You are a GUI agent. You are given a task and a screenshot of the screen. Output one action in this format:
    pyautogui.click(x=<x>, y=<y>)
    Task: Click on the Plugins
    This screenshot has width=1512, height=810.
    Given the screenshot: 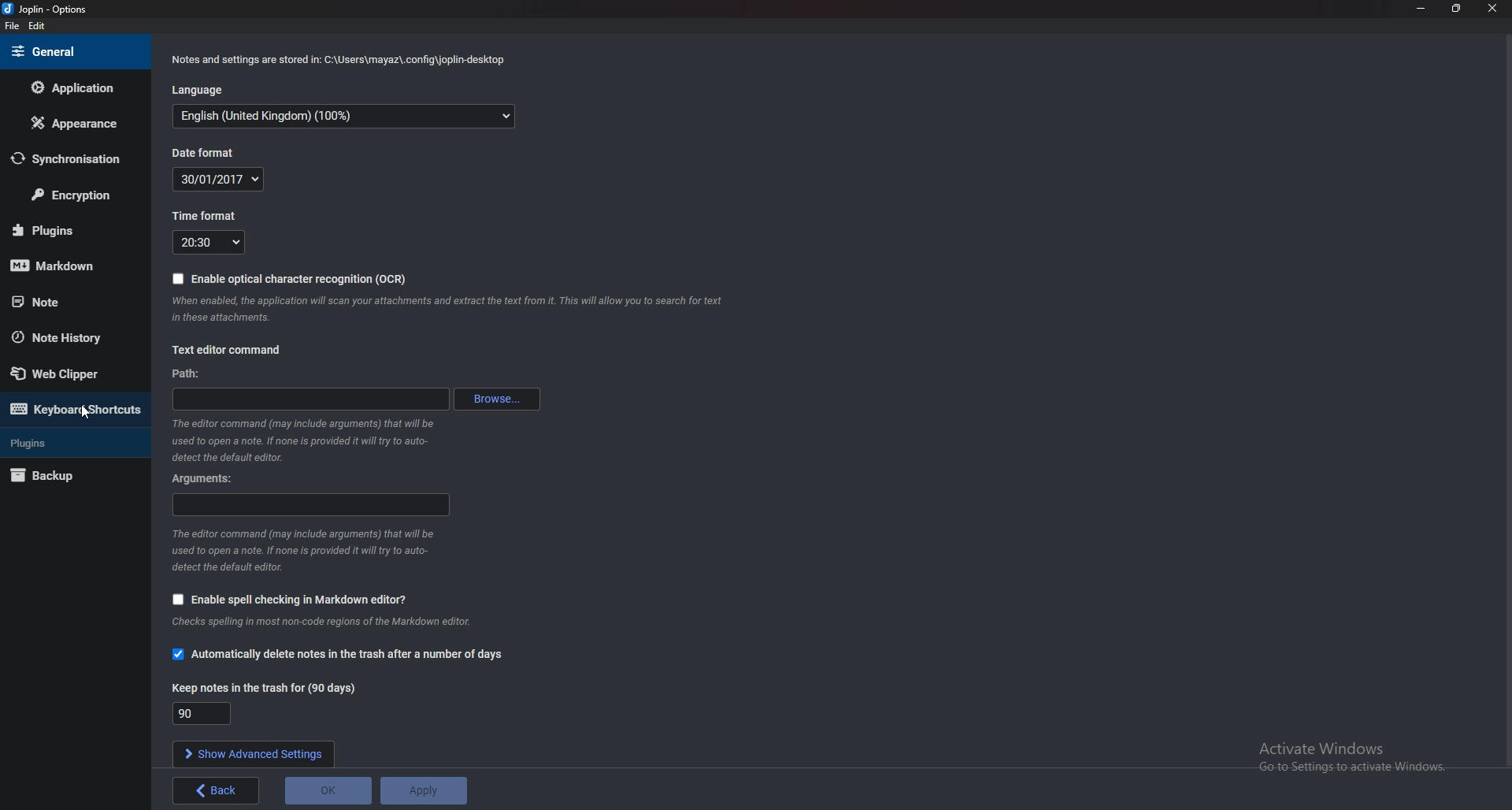 What is the action you would take?
    pyautogui.click(x=69, y=444)
    